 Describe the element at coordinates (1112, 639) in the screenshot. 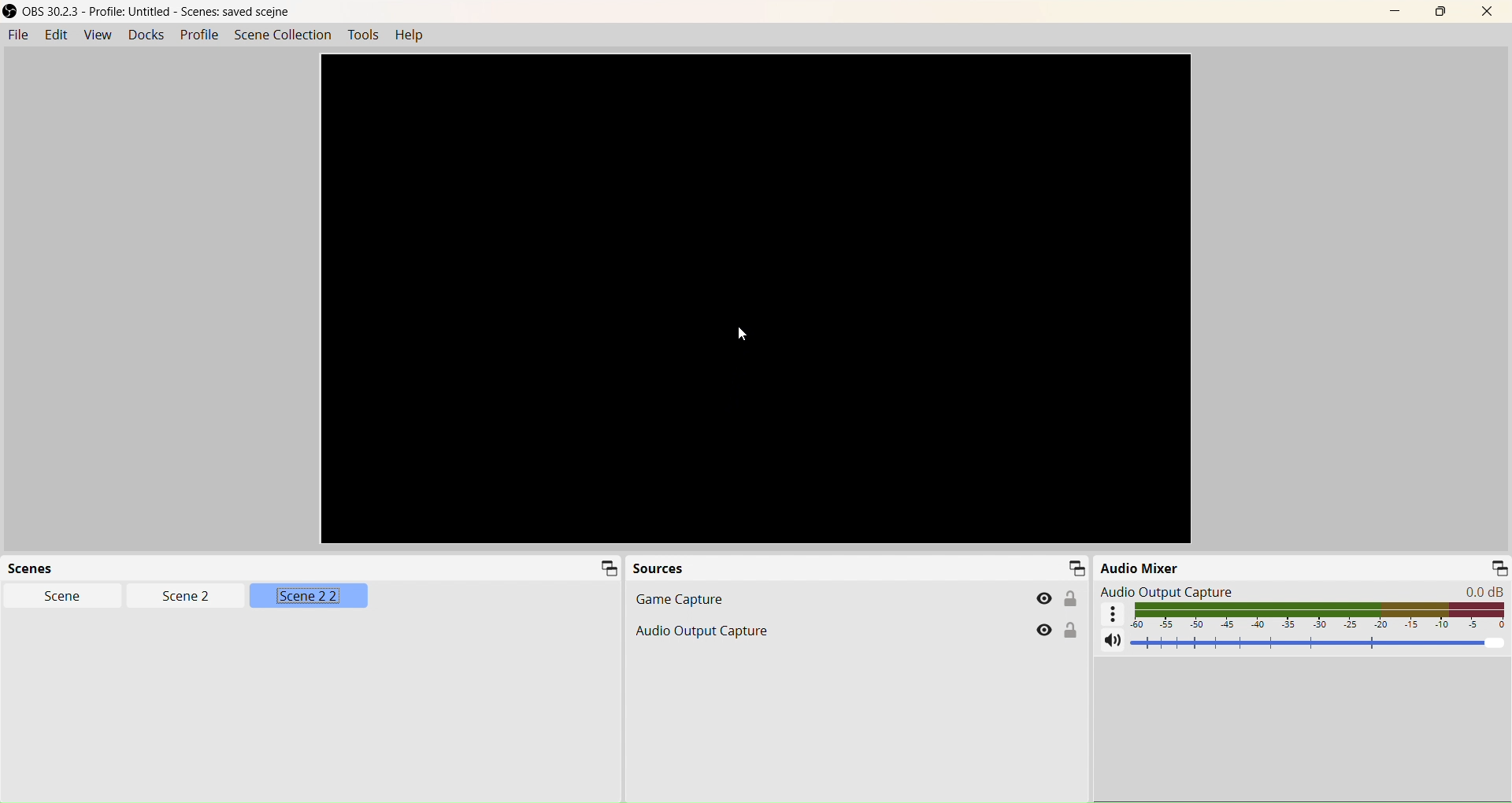

I see `Mute/ Unmute` at that location.